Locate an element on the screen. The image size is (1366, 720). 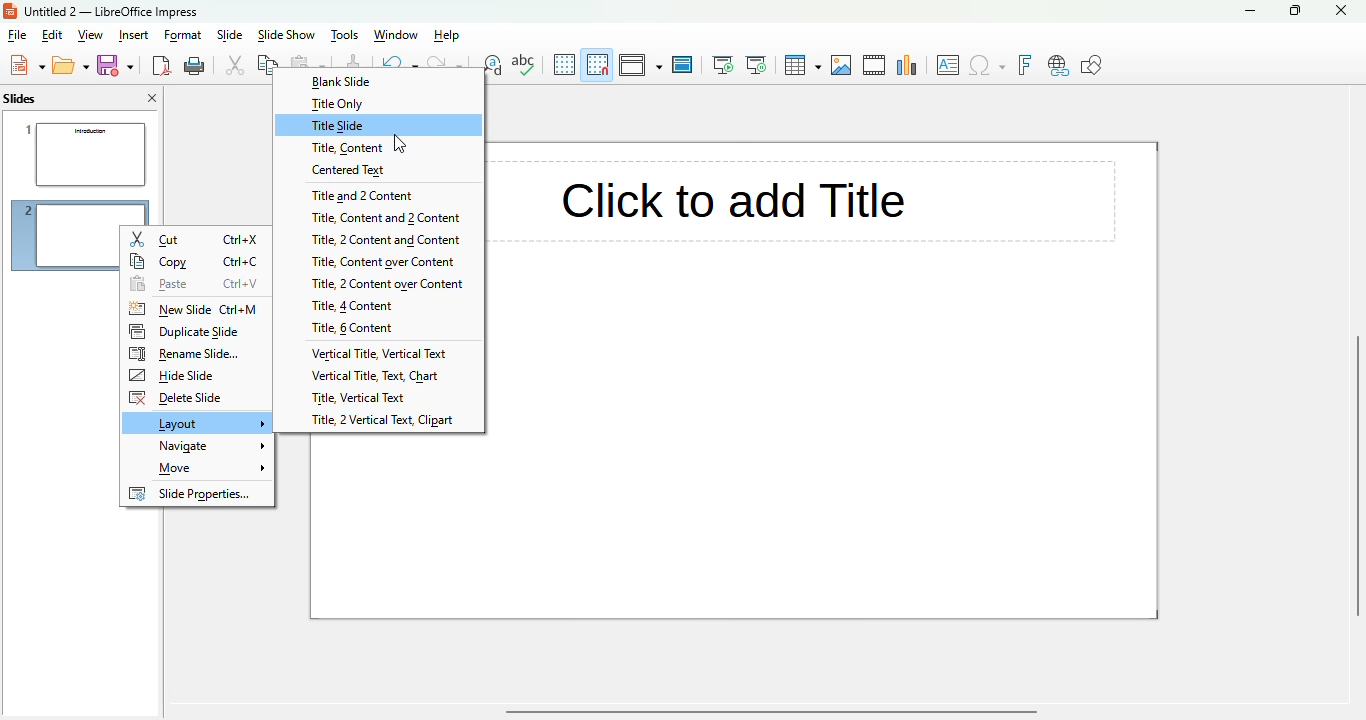
start from current slide is located at coordinates (756, 65).